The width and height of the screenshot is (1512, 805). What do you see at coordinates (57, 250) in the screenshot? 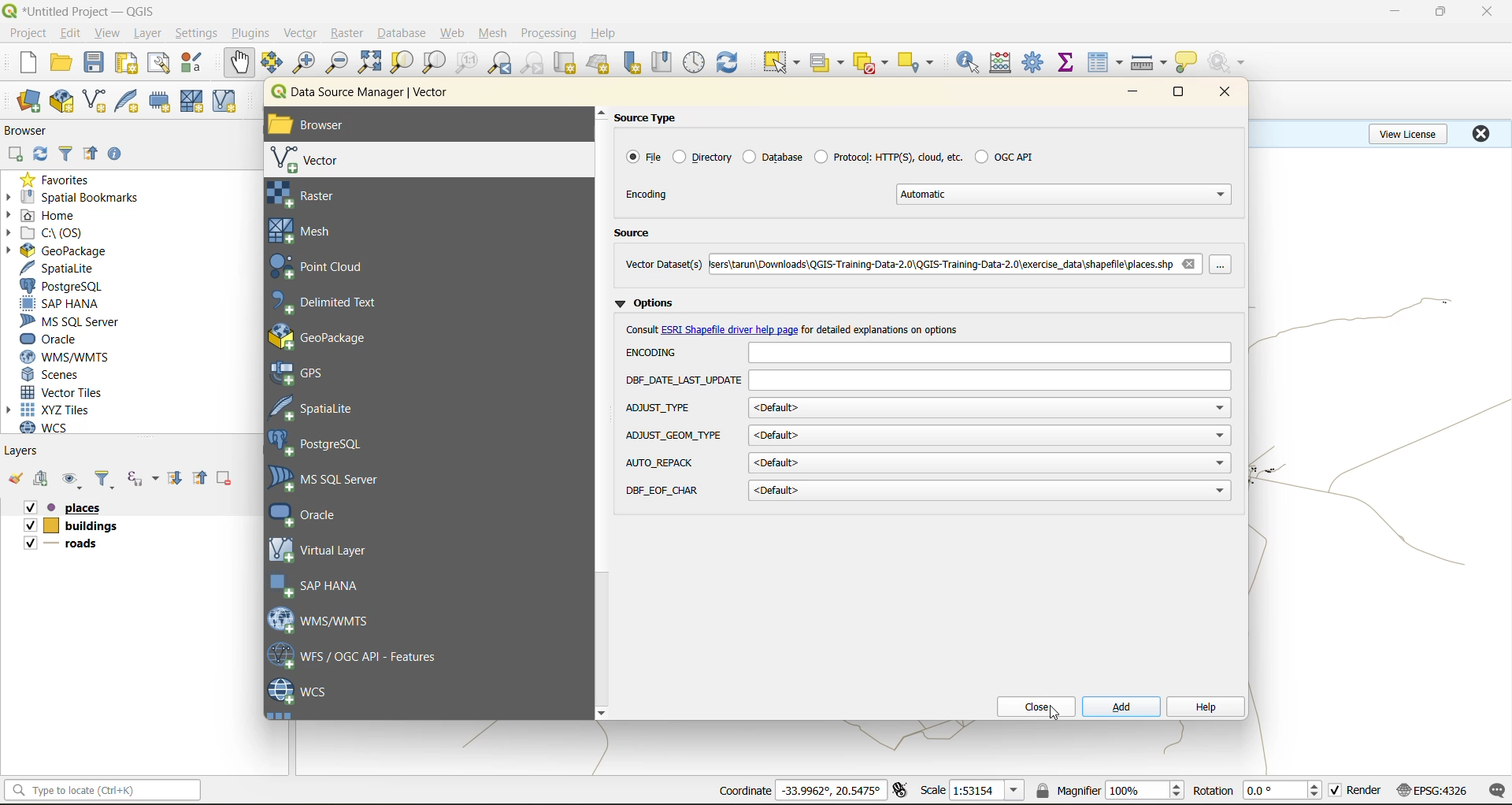
I see `geopackage` at bounding box center [57, 250].